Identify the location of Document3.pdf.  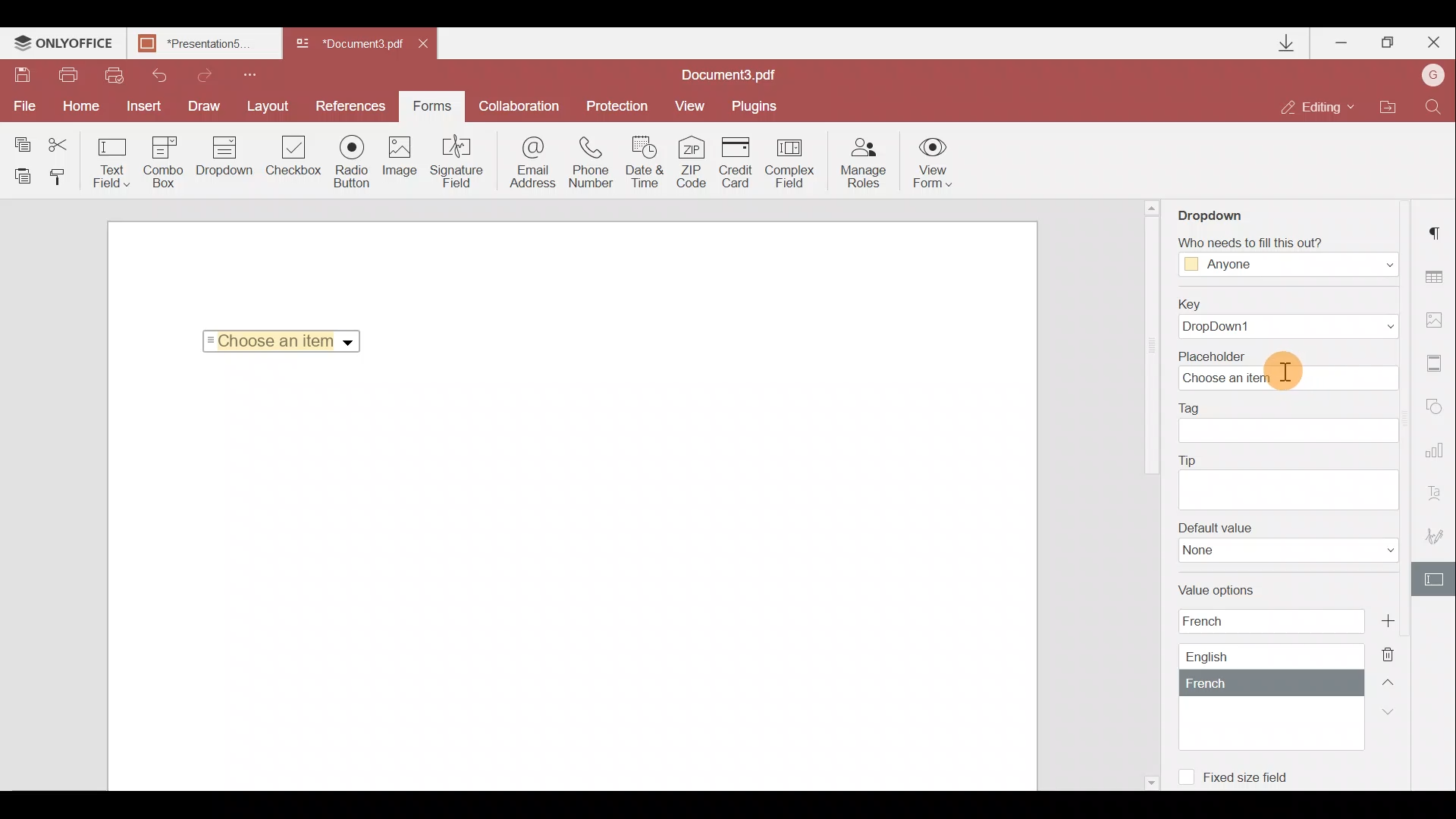
(349, 45).